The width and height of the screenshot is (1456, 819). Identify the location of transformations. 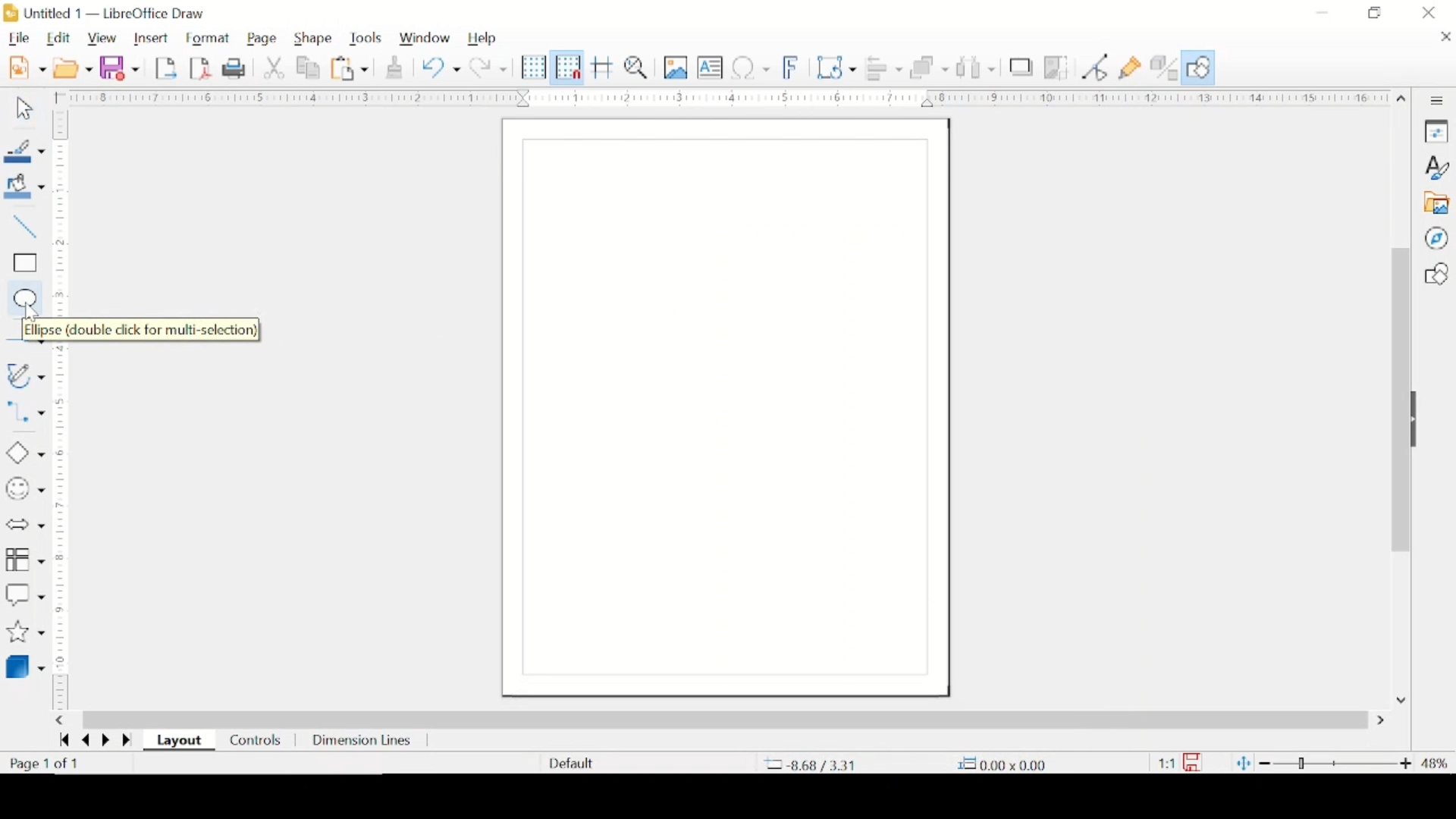
(837, 67).